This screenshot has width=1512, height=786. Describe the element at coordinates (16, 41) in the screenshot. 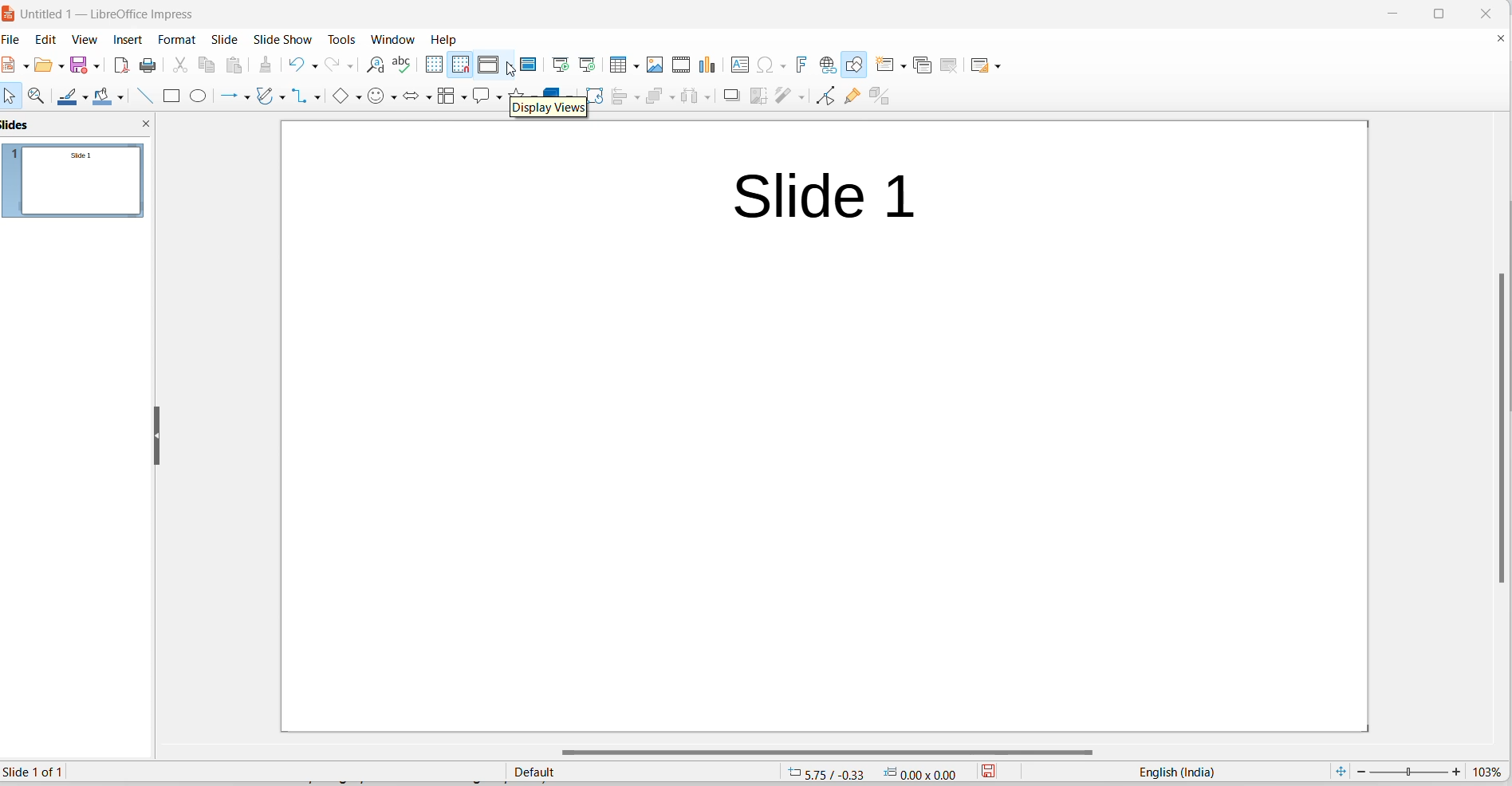

I see `file` at that location.